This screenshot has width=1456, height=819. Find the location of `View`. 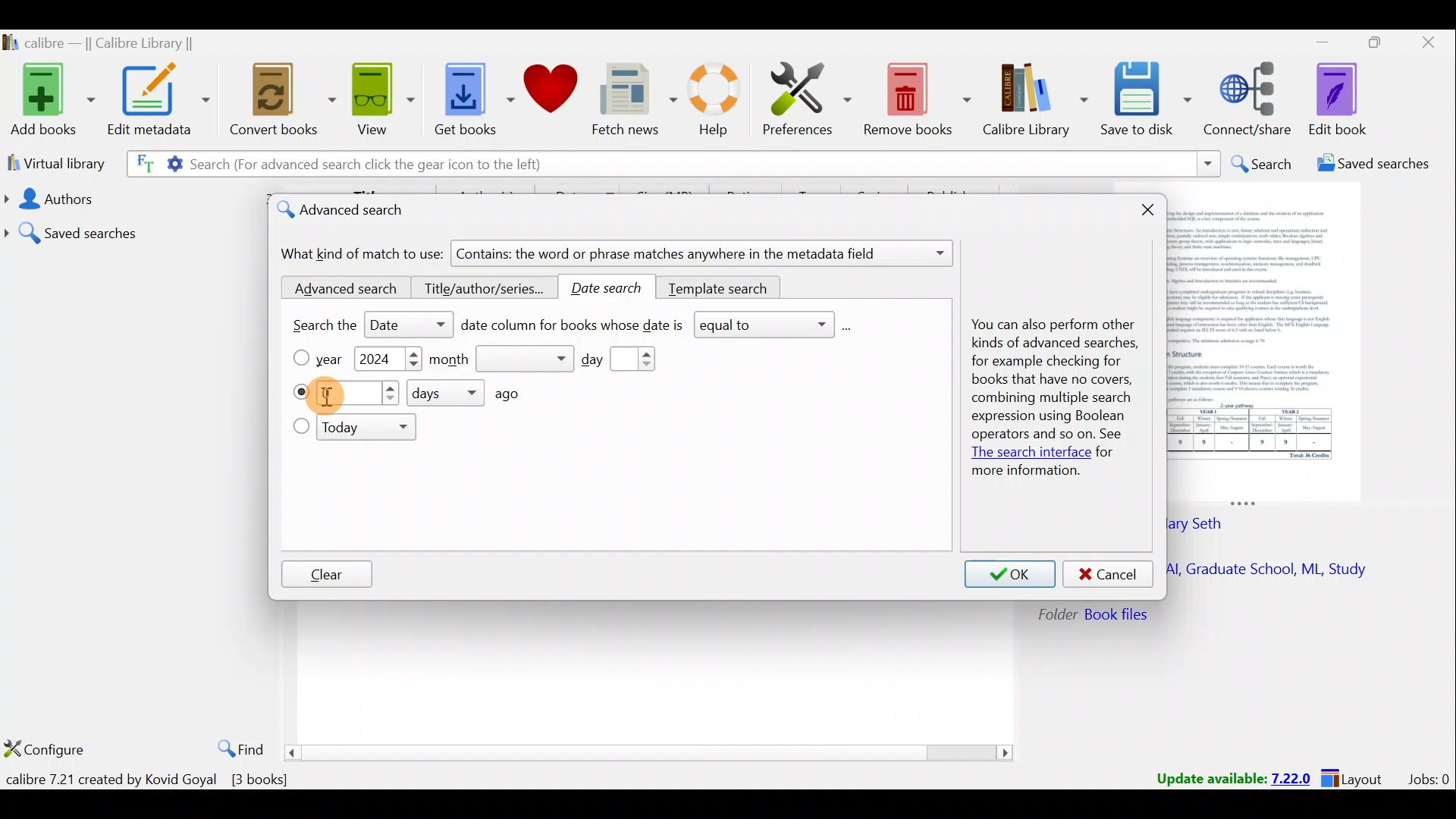

View is located at coordinates (379, 101).